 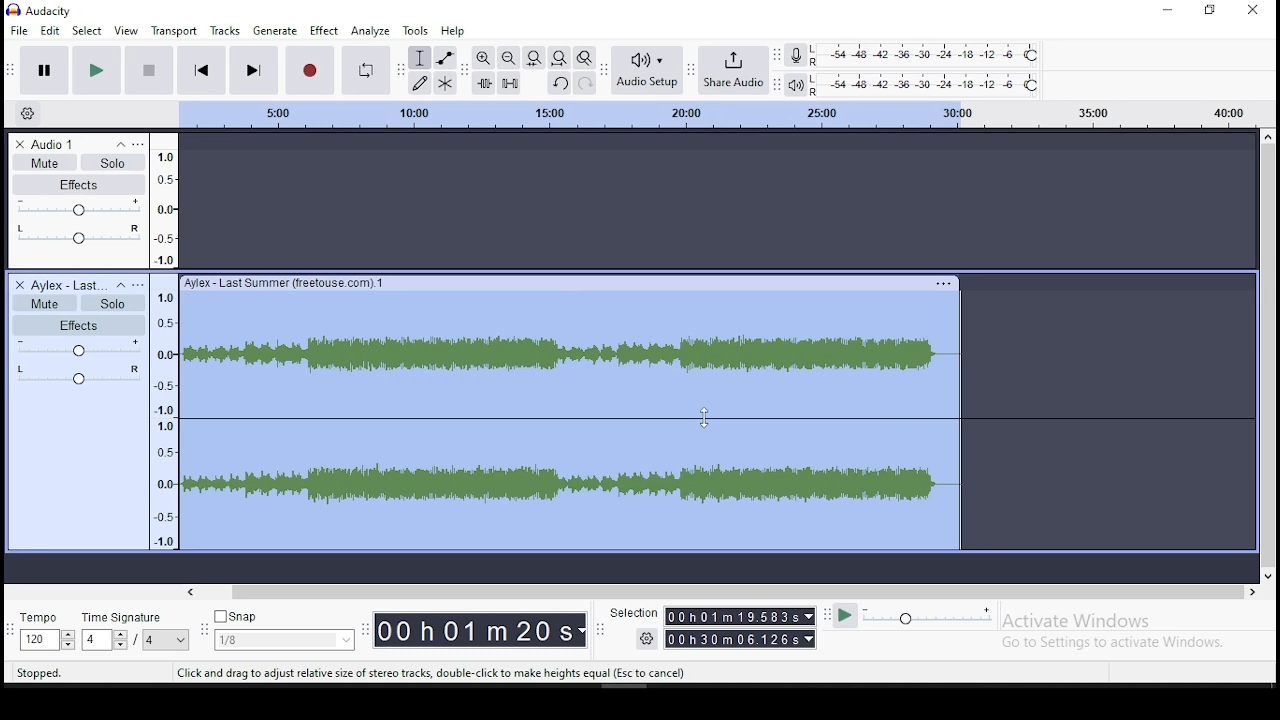 I want to click on enable looping, so click(x=364, y=71).